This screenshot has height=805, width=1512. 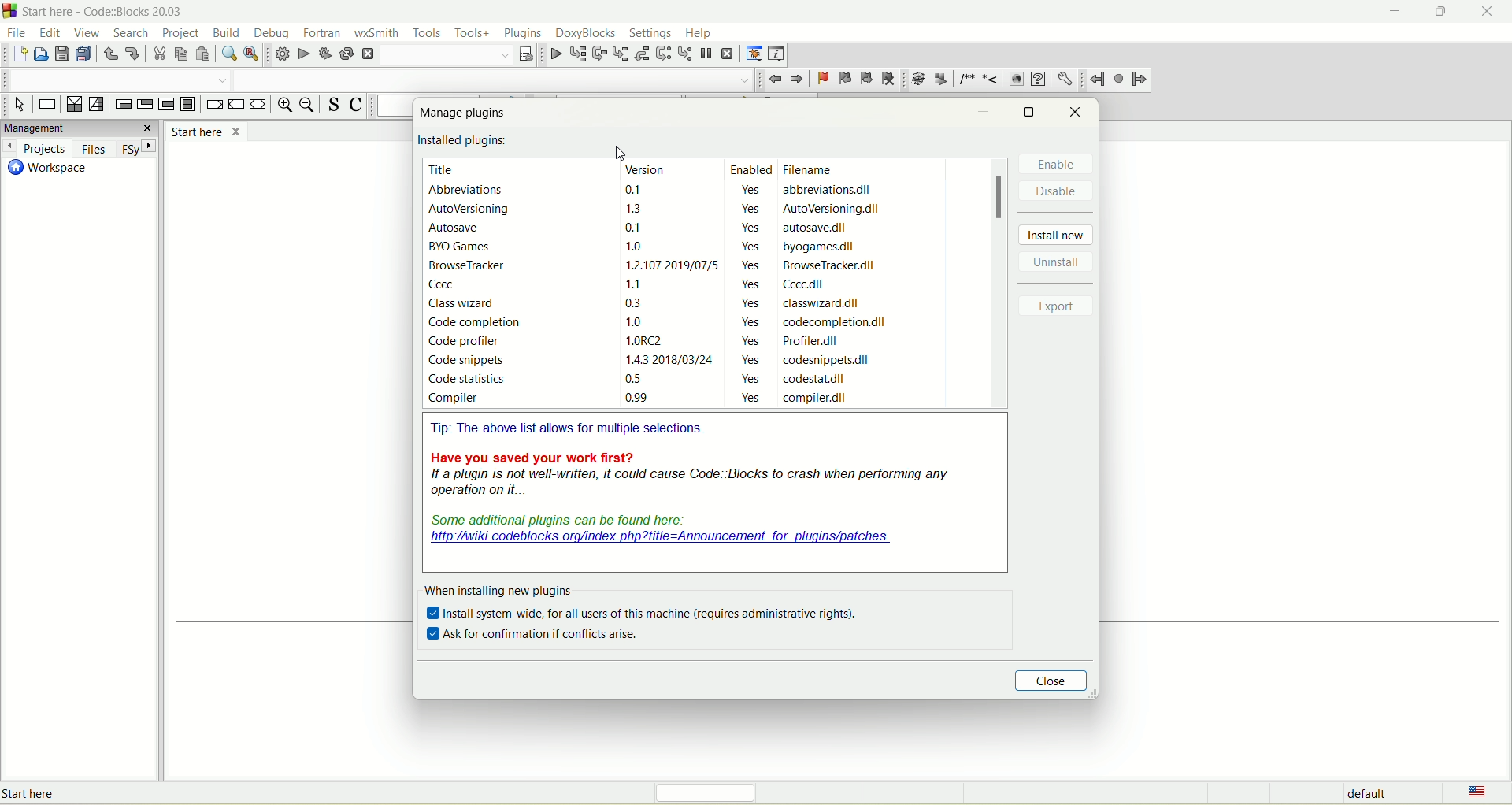 What do you see at coordinates (499, 591) in the screenshot?
I see `When installing new plugins` at bounding box center [499, 591].